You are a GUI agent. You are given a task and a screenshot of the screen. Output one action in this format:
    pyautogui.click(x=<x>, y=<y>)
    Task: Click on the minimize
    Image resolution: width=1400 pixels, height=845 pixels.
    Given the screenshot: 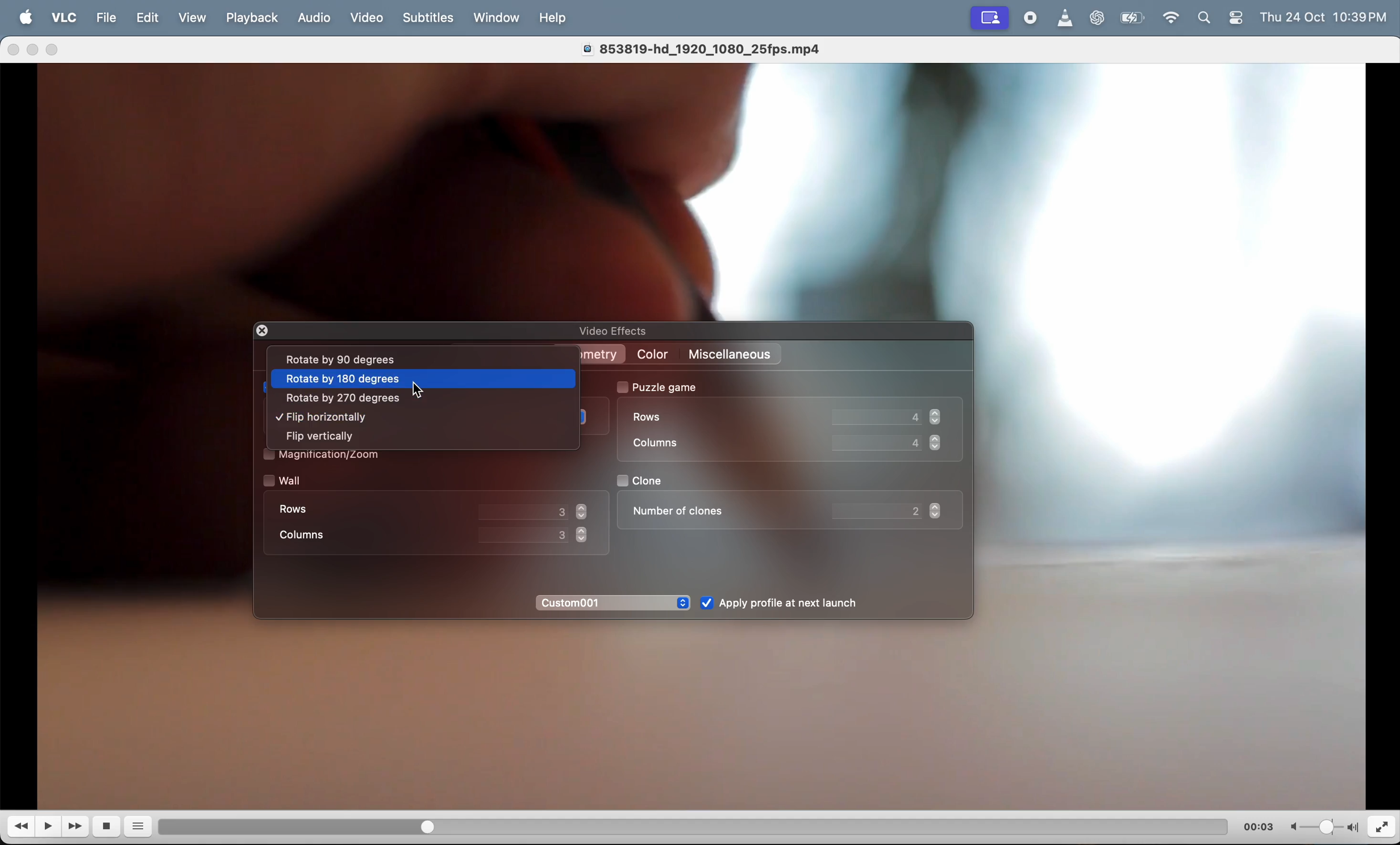 What is the action you would take?
    pyautogui.click(x=35, y=51)
    